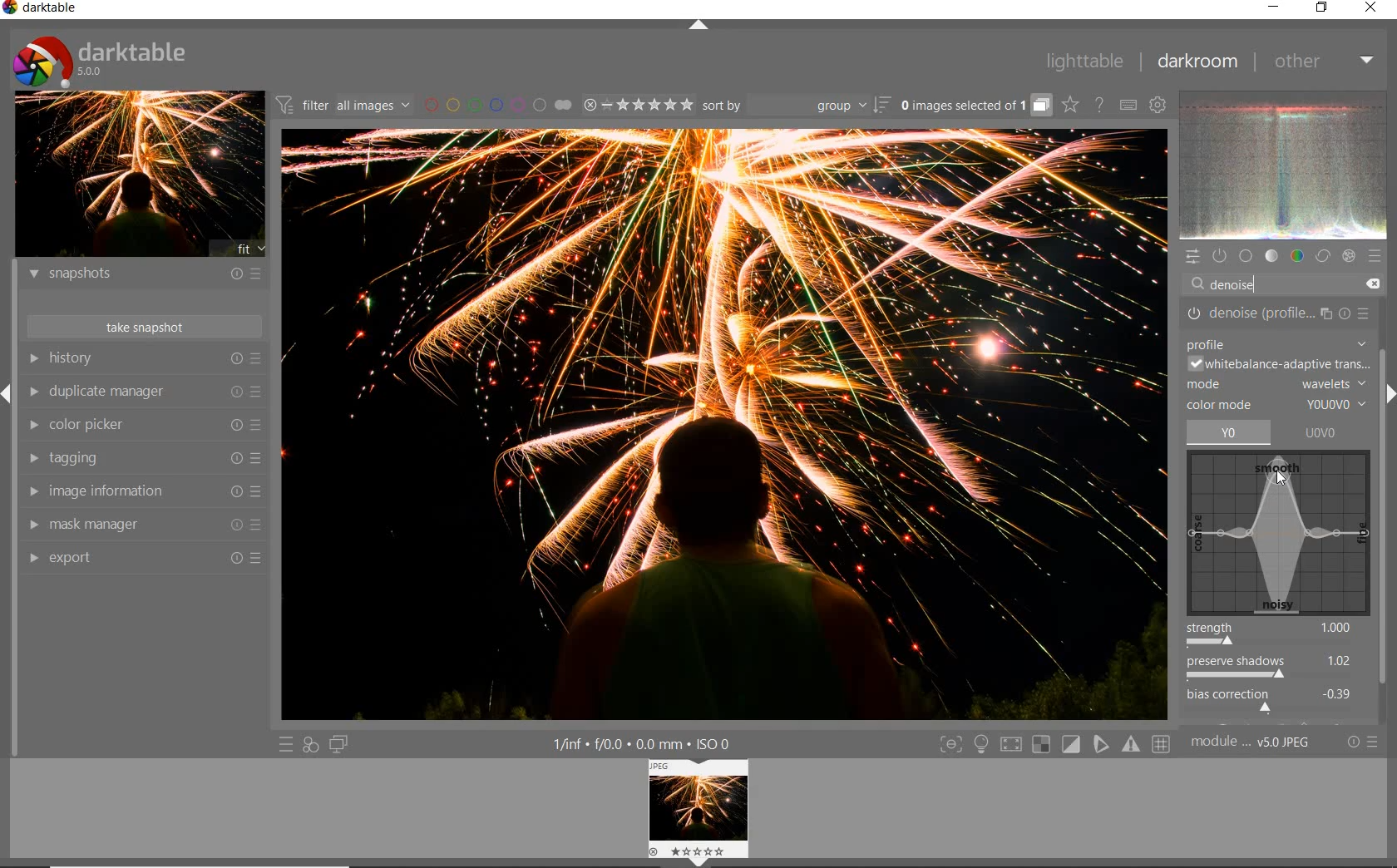  What do you see at coordinates (1230, 432) in the screenshot?
I see `yo` at bounding box center [1230, 432].